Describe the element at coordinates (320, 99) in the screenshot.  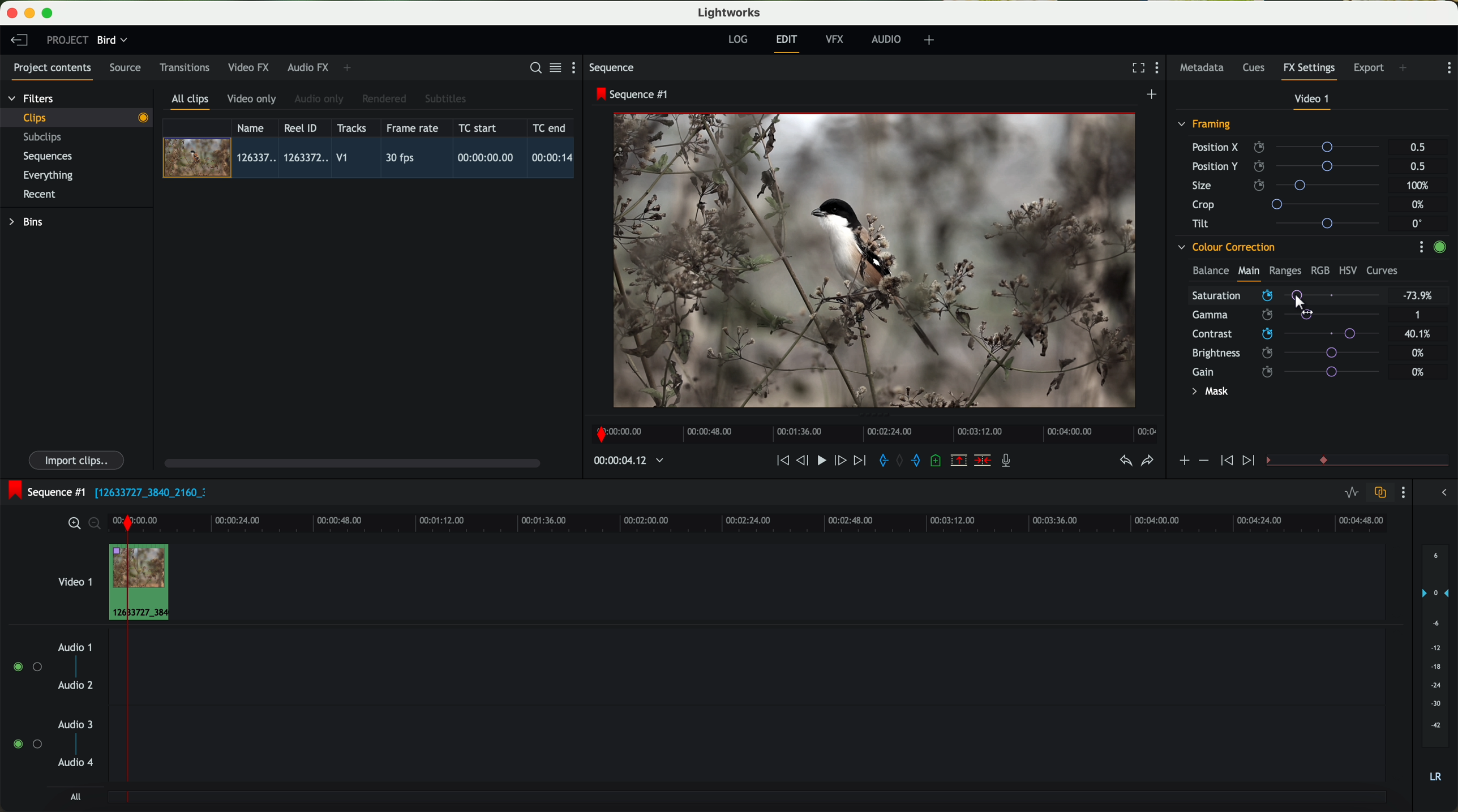
I see `audio only` at that location.